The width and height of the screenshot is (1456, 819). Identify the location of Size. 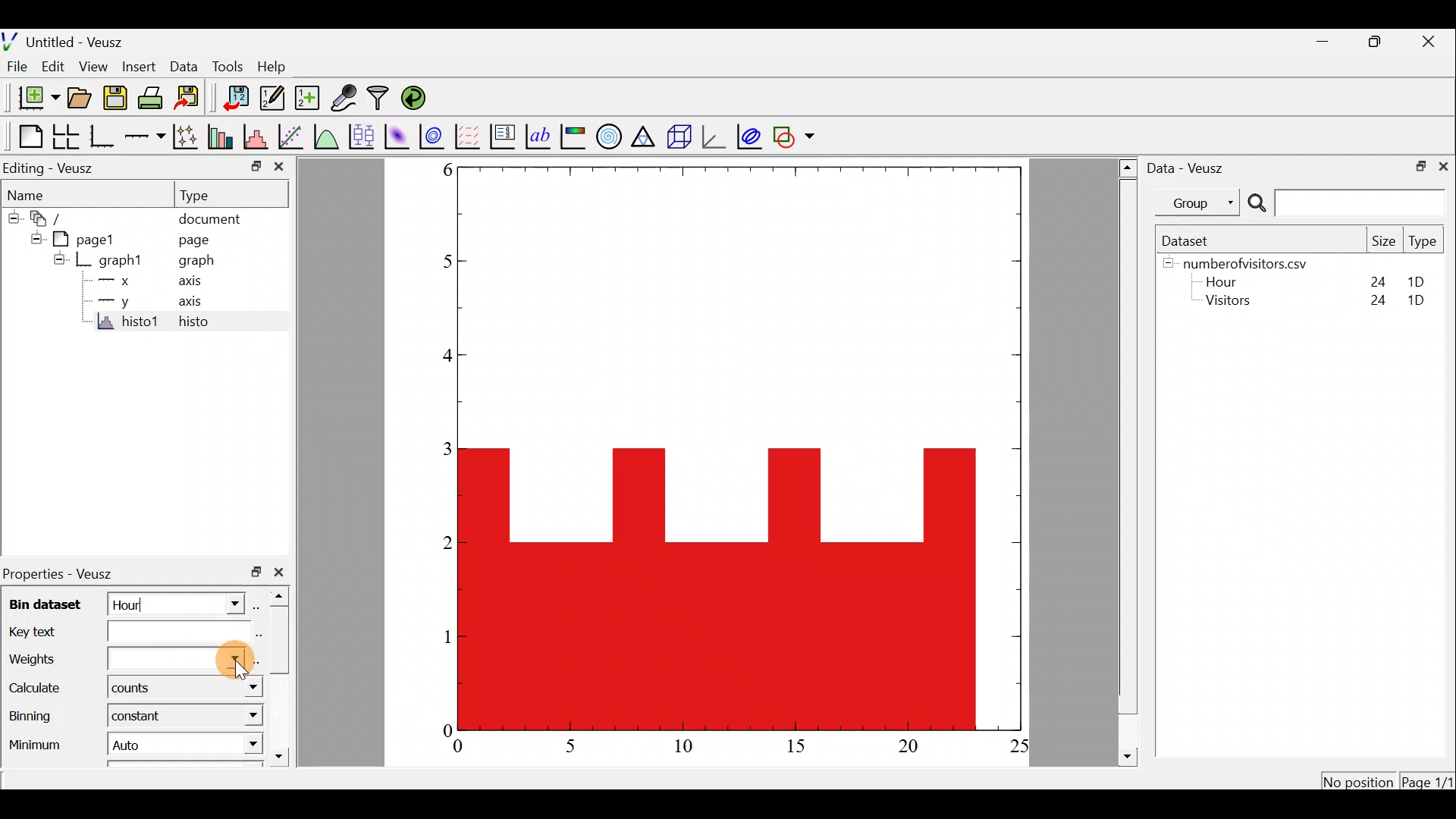
(1385, 242).